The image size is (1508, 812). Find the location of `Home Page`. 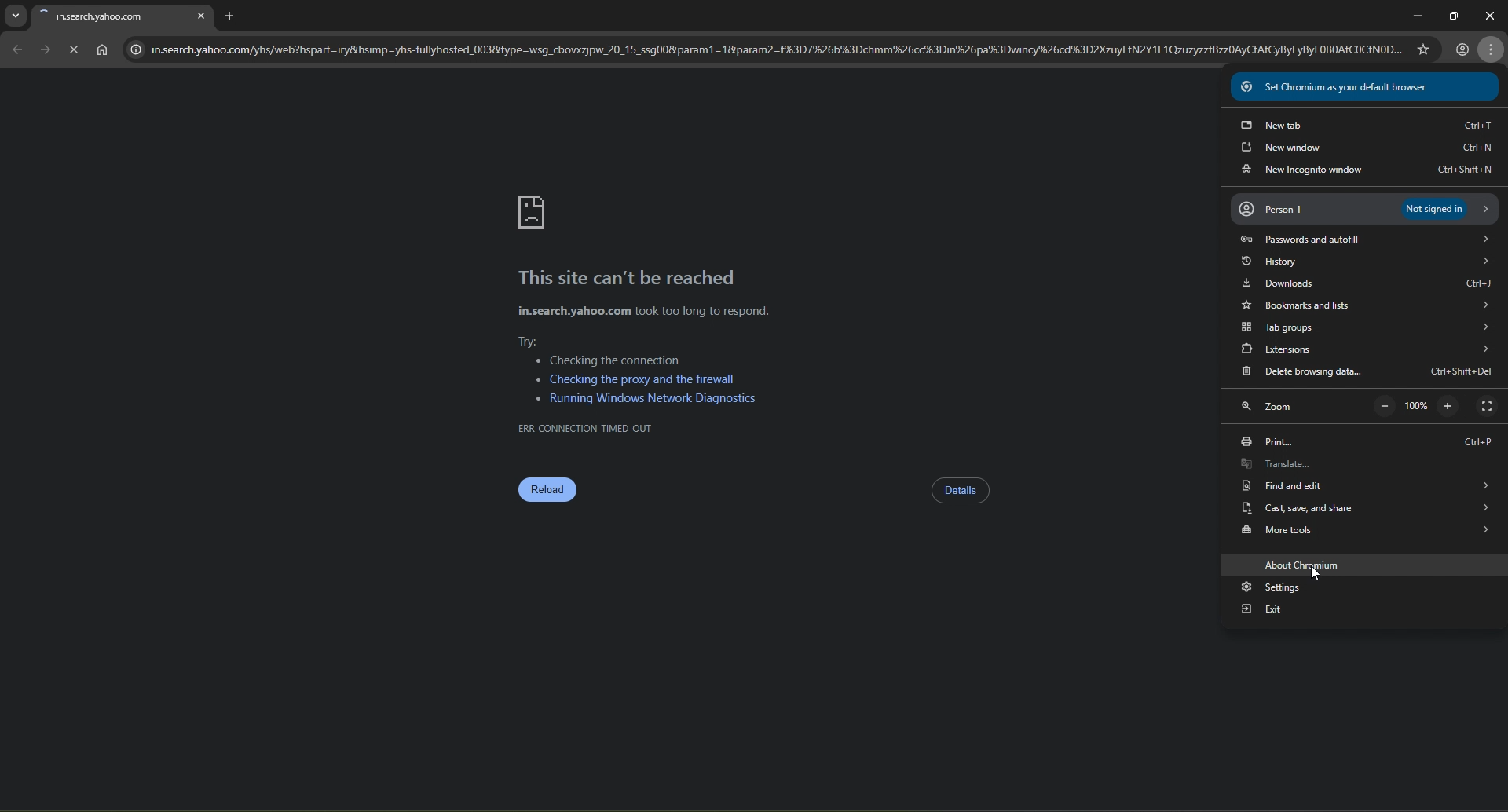

Home Page is located at coordinates (102, 50).